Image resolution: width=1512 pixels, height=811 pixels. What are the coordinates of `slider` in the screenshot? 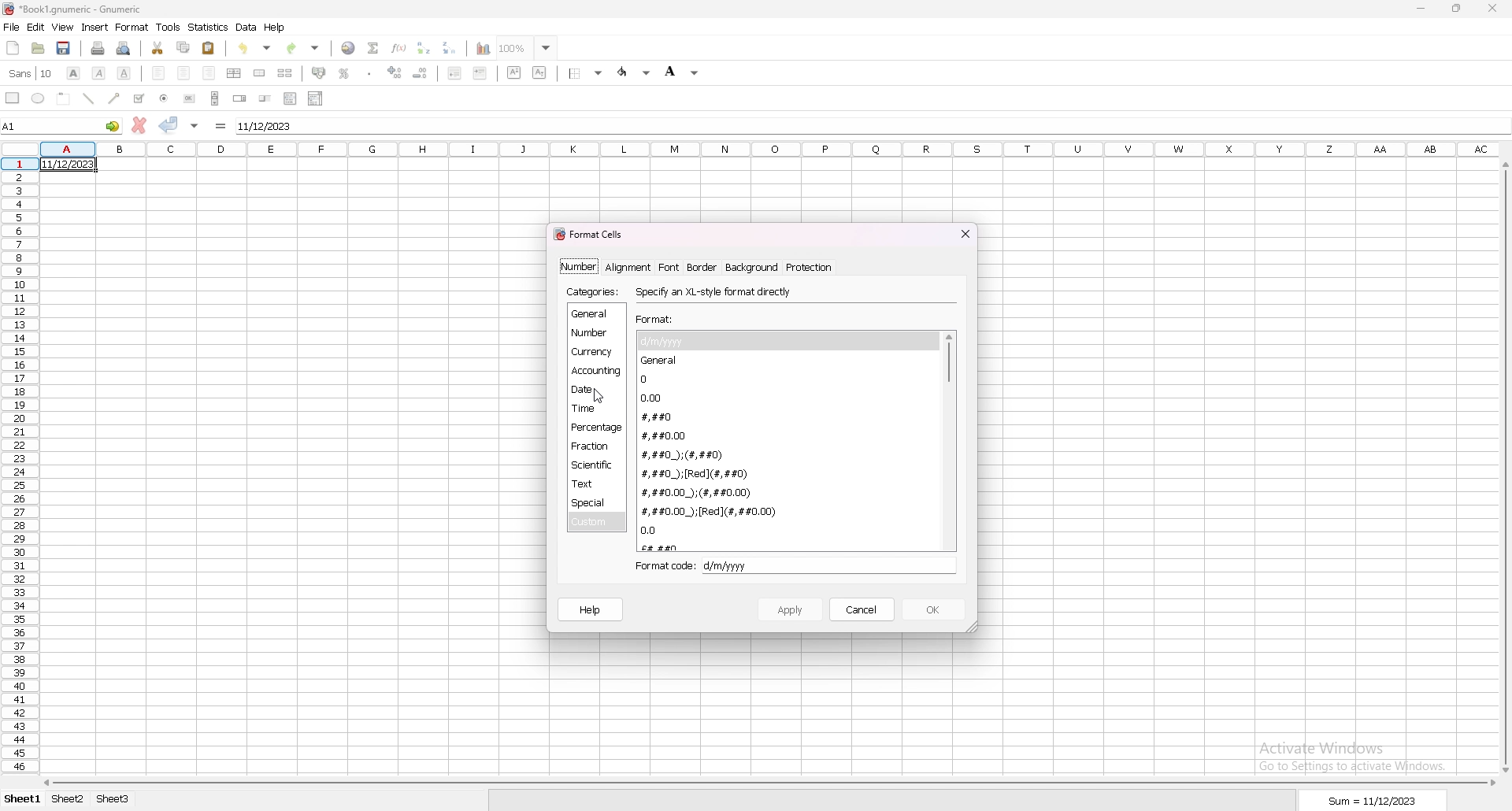 It's located at (264, 99).